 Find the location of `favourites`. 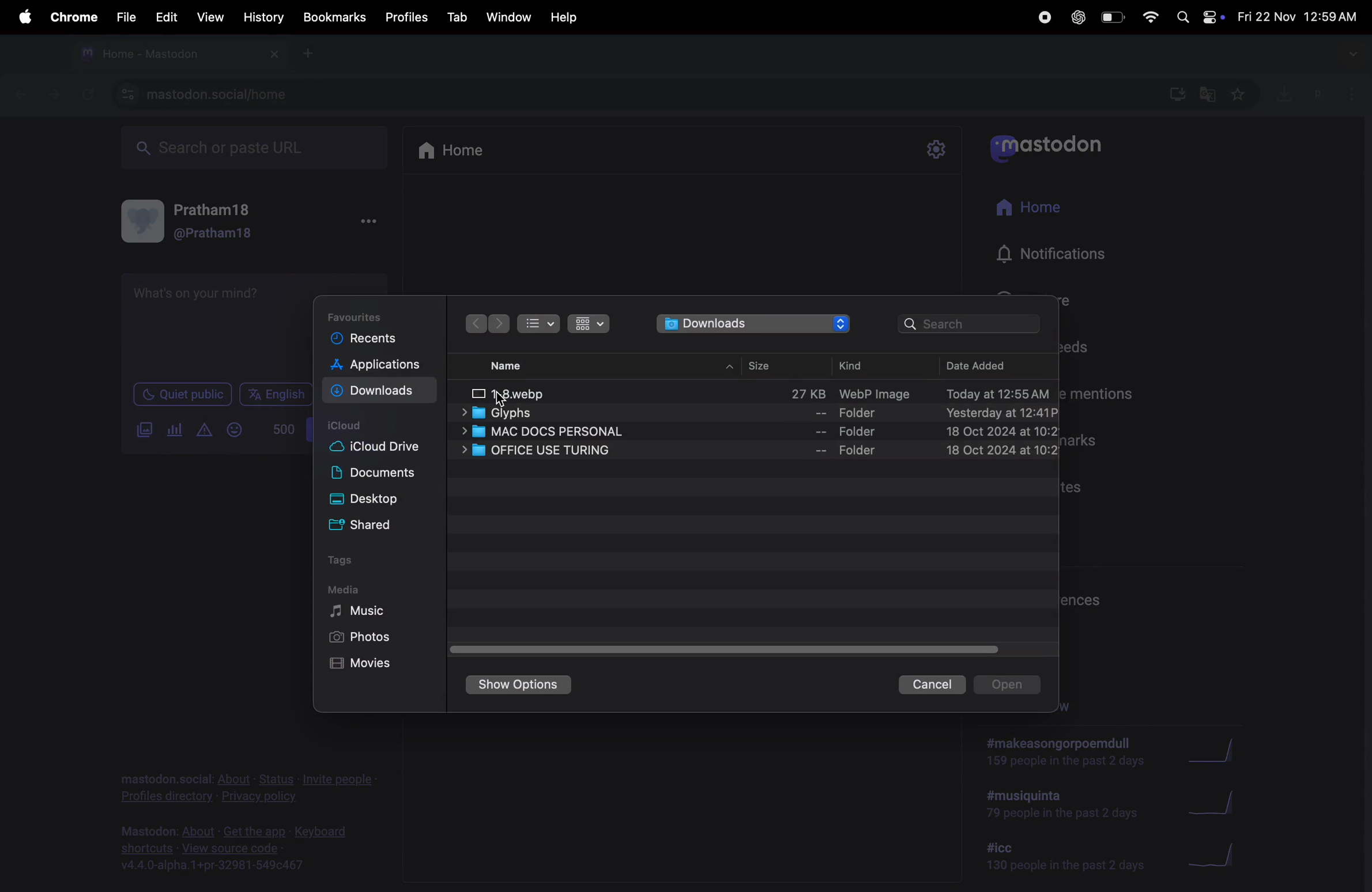

favourites is located at coordinates (360, 314).